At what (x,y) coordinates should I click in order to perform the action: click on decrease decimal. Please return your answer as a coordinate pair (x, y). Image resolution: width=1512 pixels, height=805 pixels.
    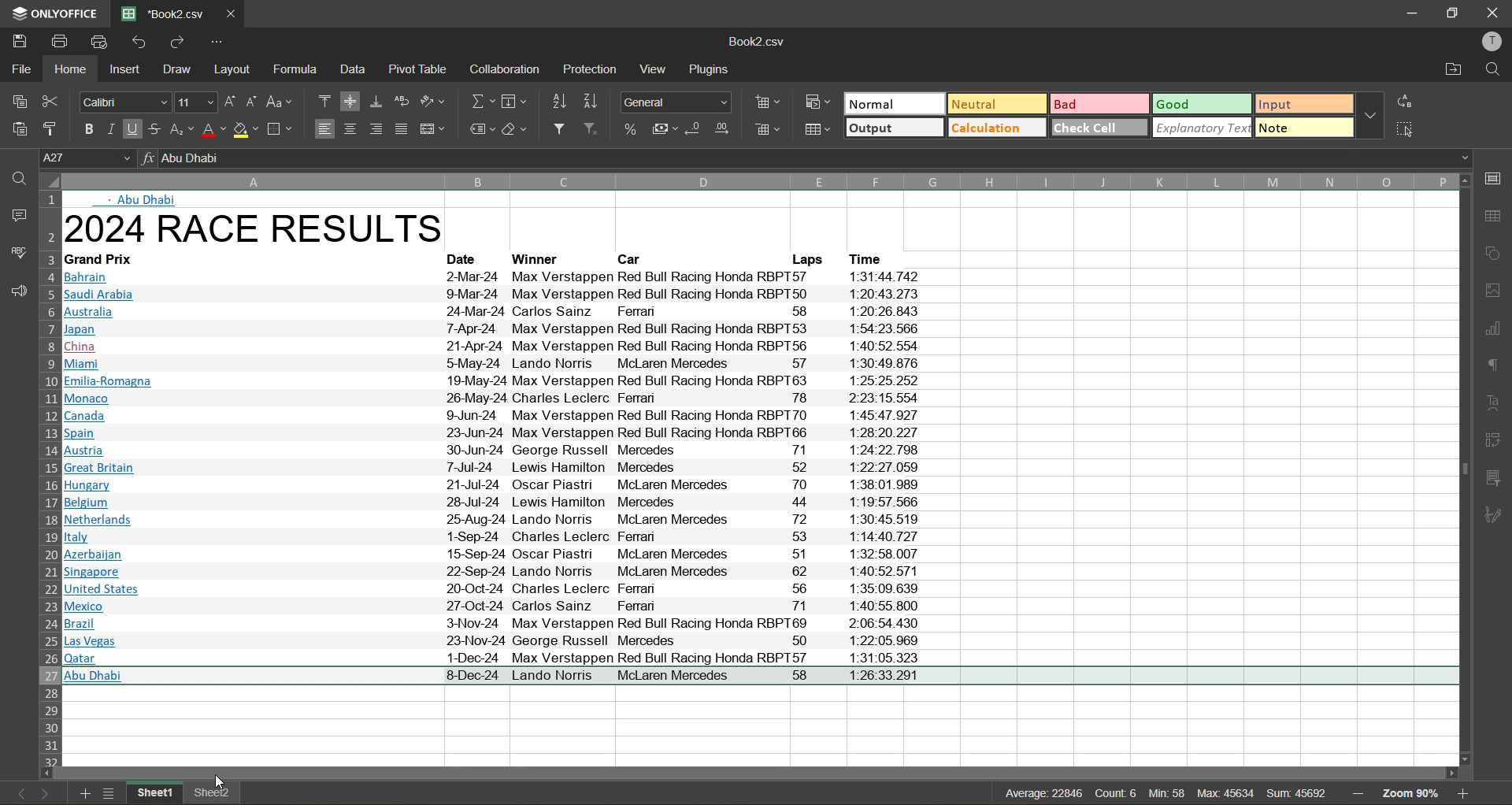
    Looking at the image, I should click on (695, 131).